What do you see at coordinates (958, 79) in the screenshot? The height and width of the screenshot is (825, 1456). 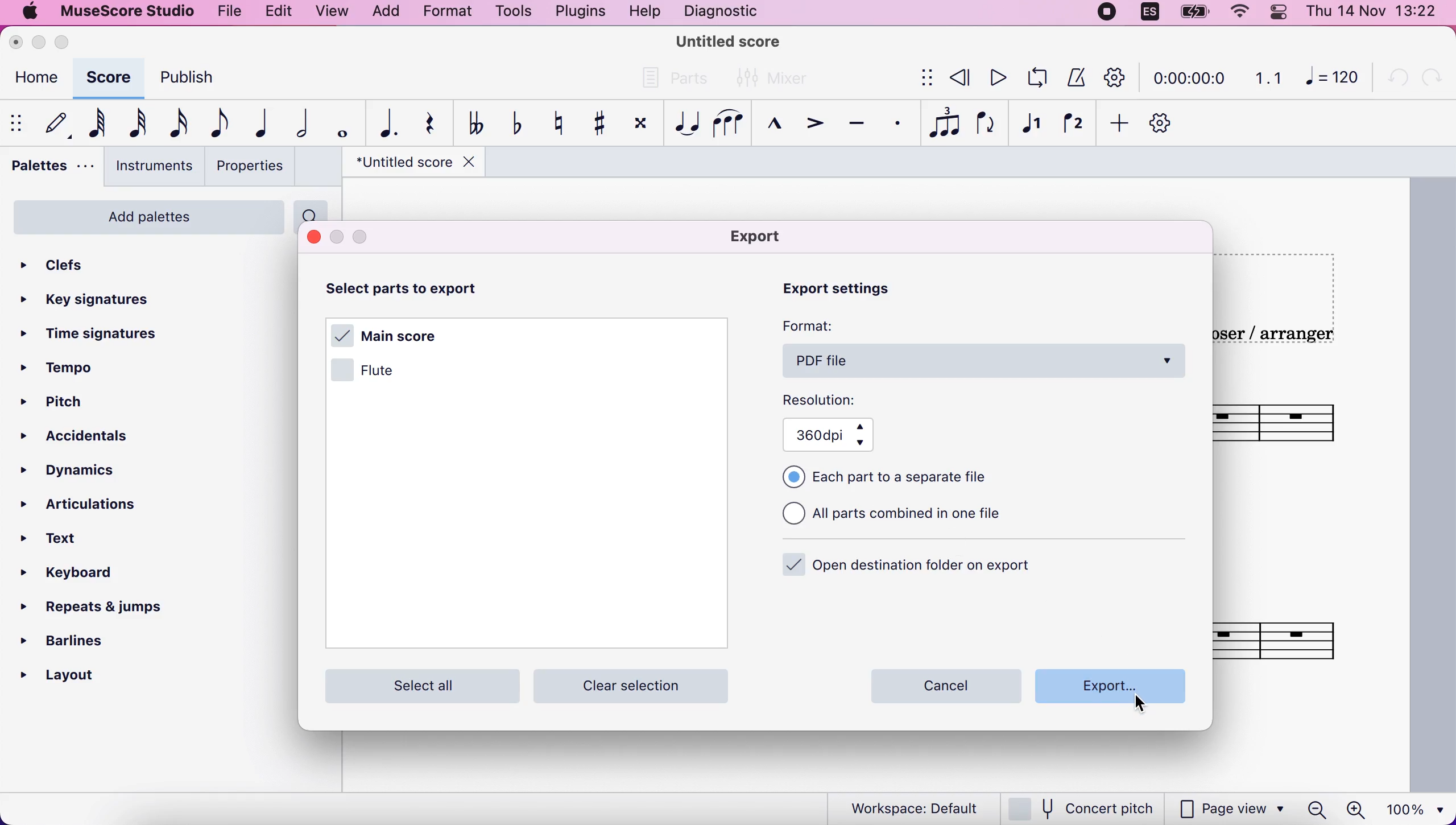 I see `review` at bounding box center [958, 79].